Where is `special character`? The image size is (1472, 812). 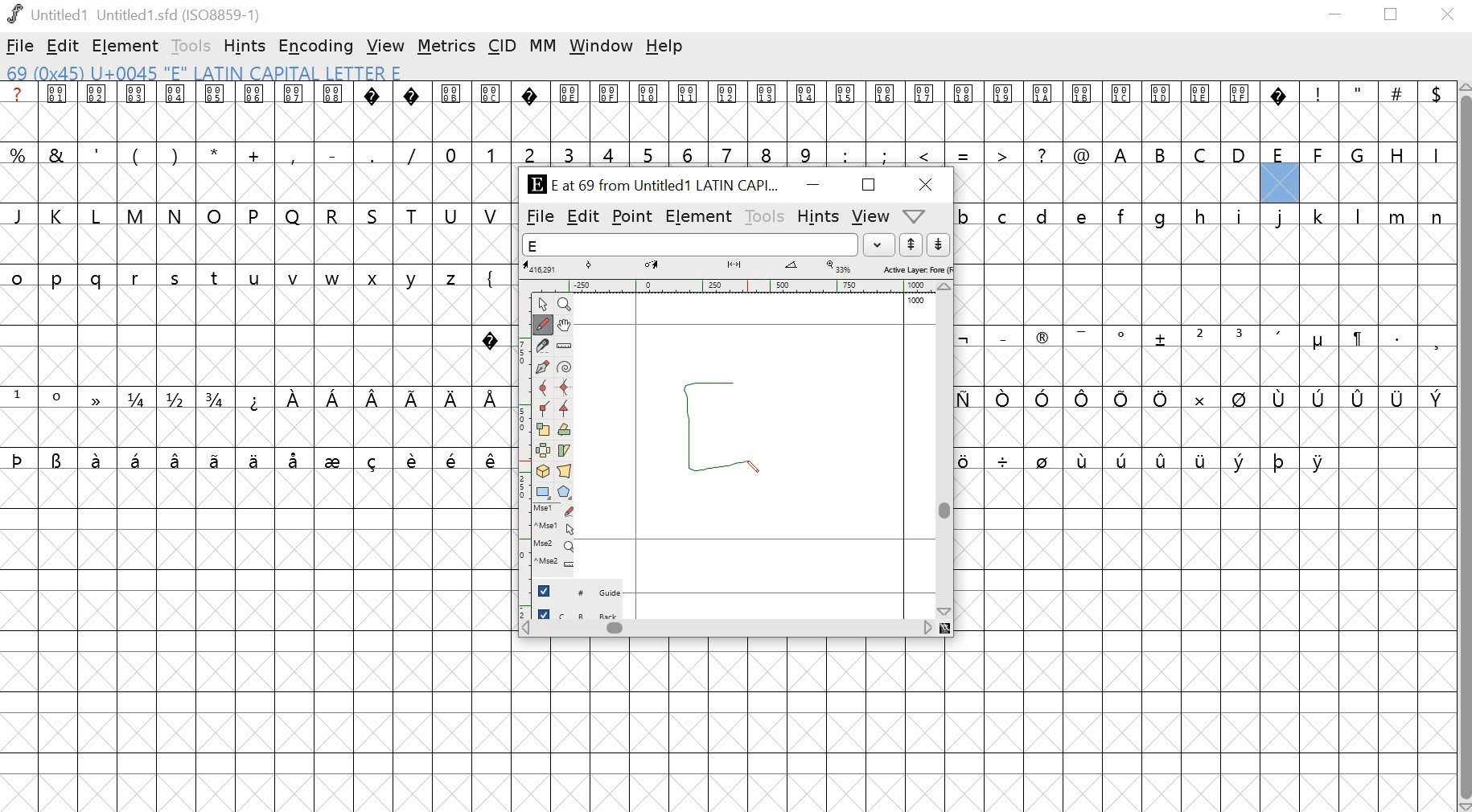 special character is located at coordinates (491, 338).